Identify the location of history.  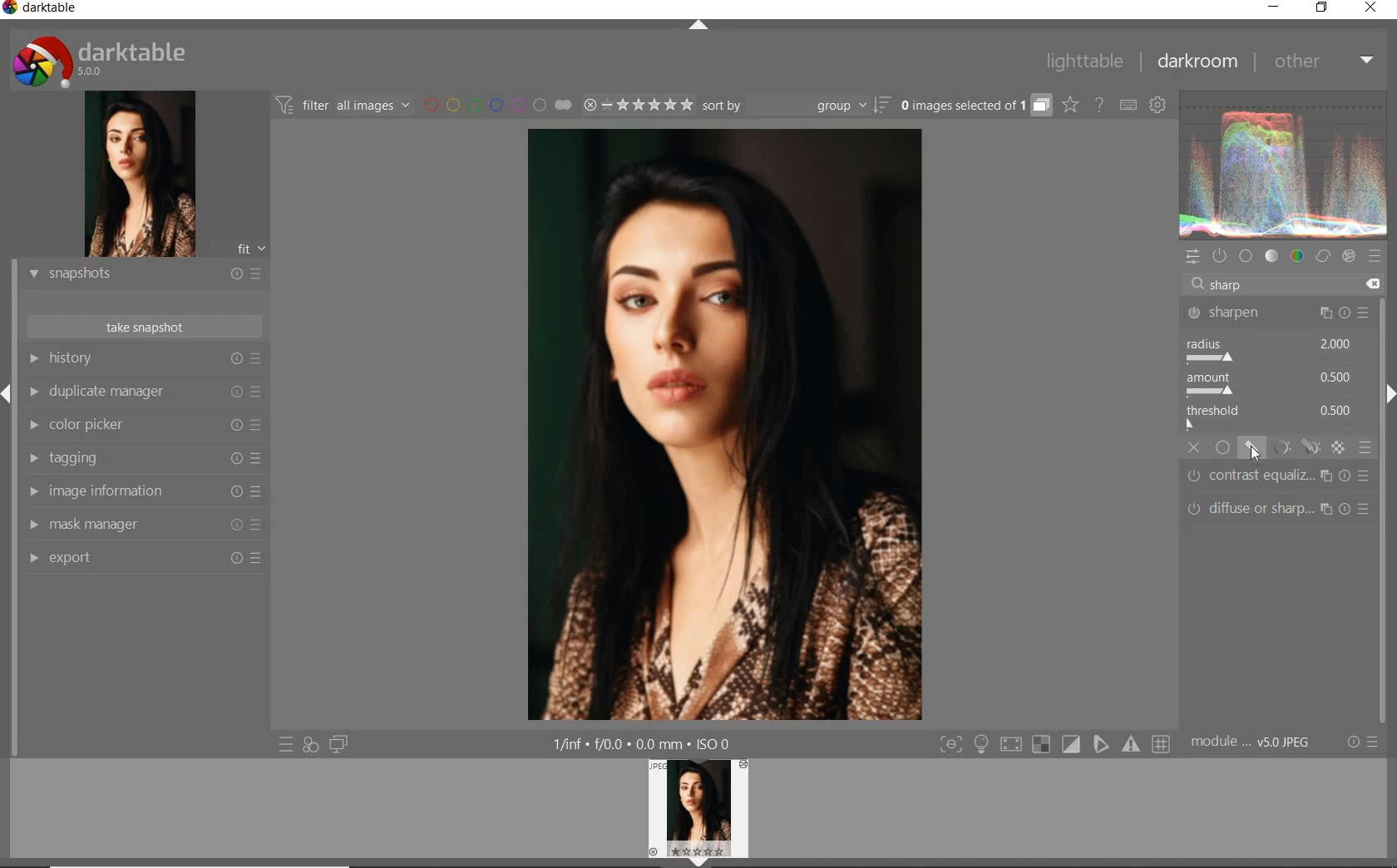
(146, 358).